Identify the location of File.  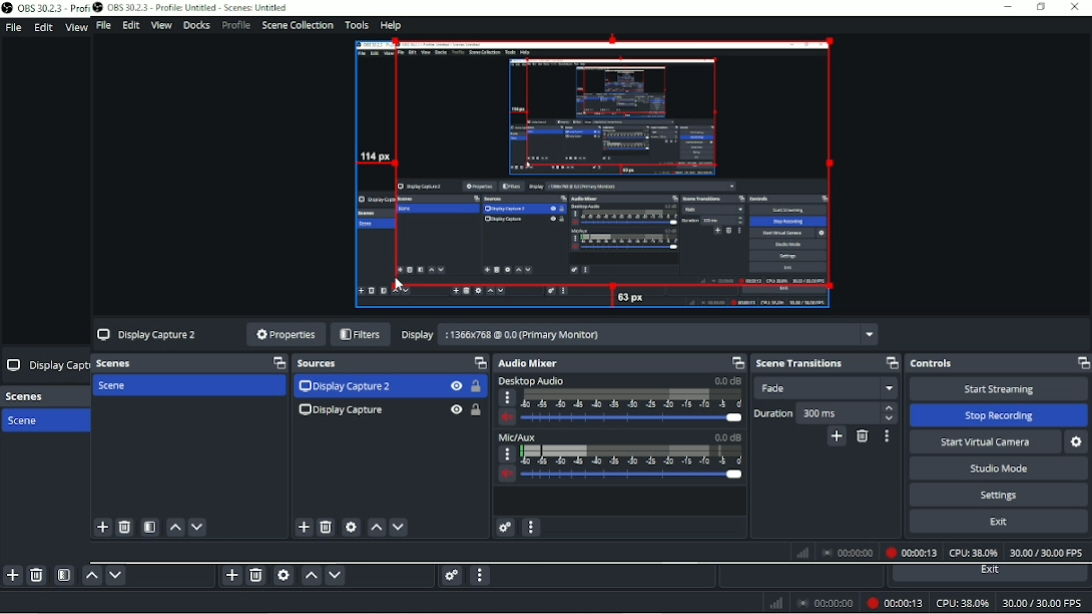
(105, 26).